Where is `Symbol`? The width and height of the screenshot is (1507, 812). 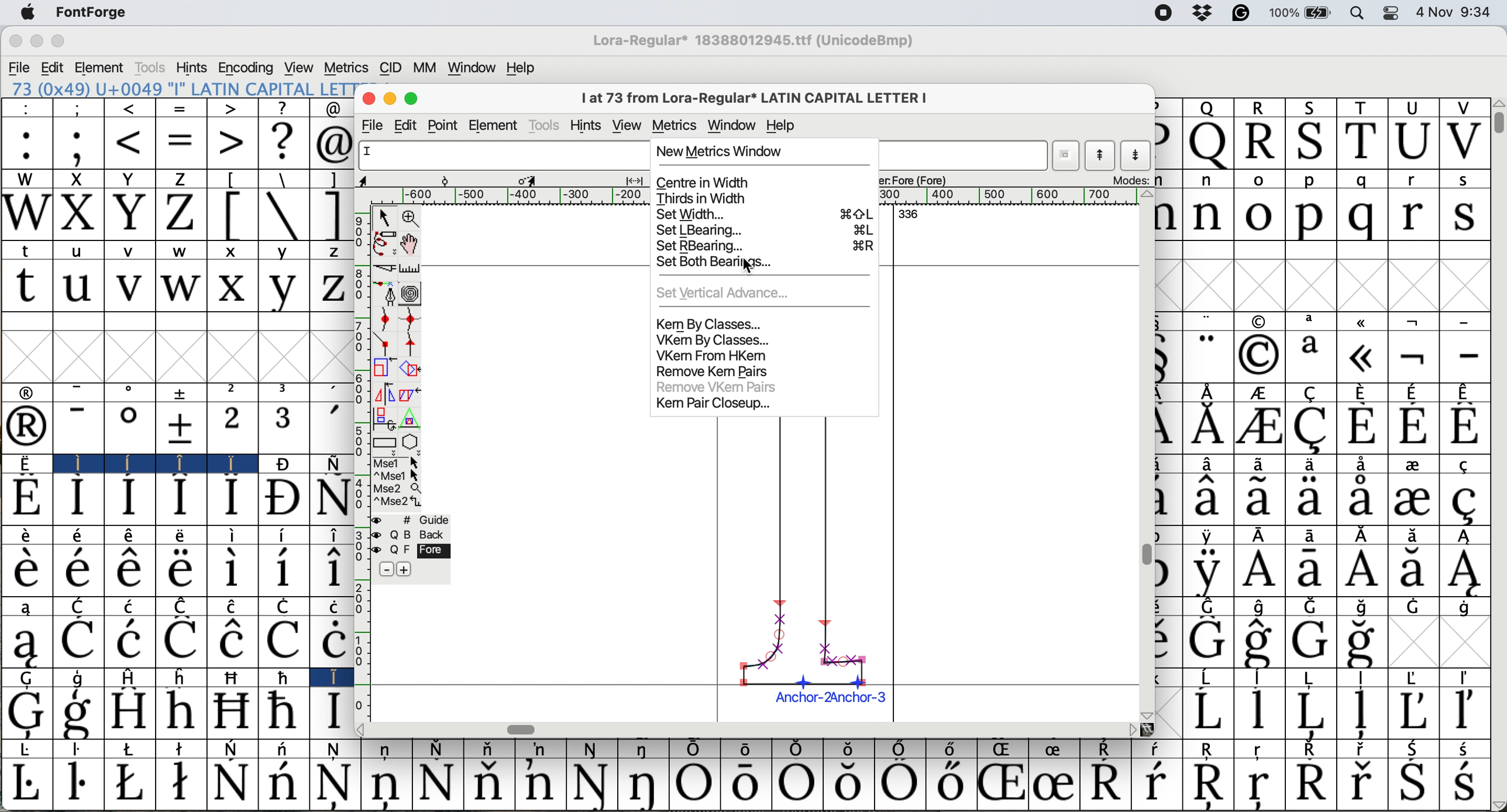
Symbol is located at coordinates (1312, 750).